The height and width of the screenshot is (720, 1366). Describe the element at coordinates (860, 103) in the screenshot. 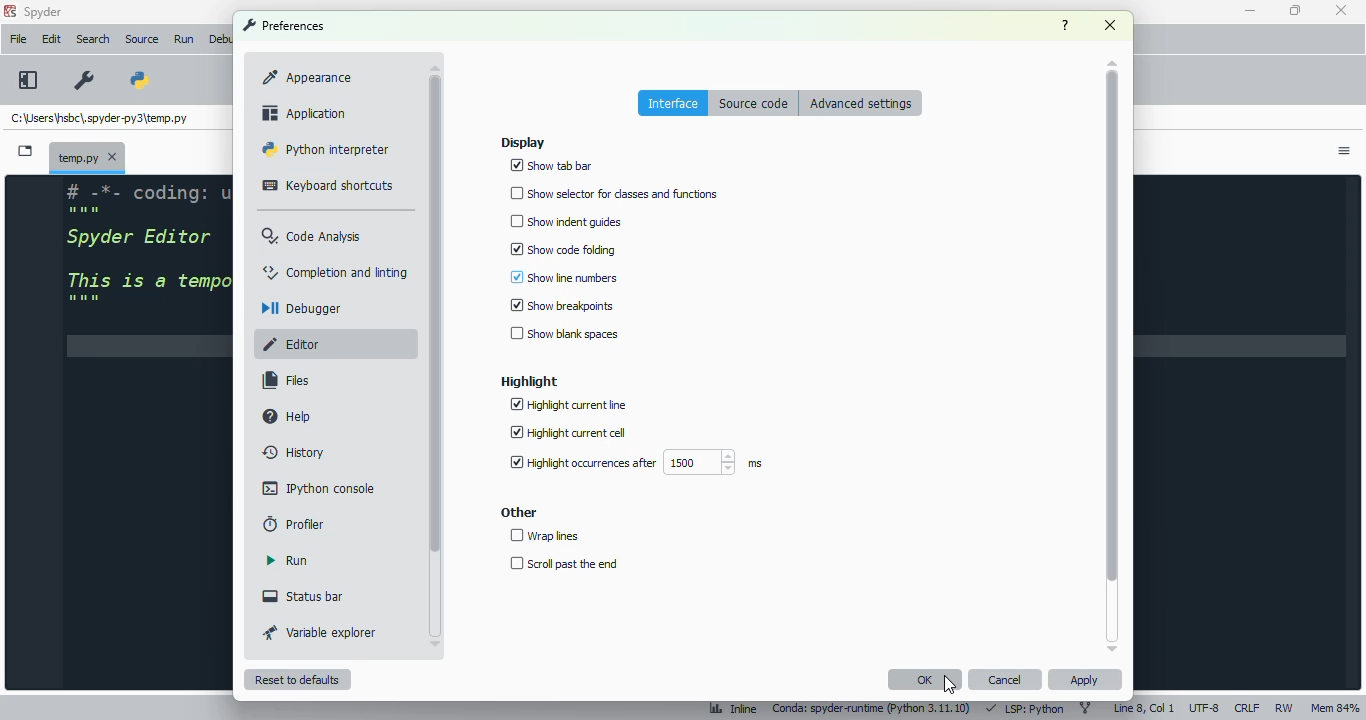

I see `advanced settings` at that location.